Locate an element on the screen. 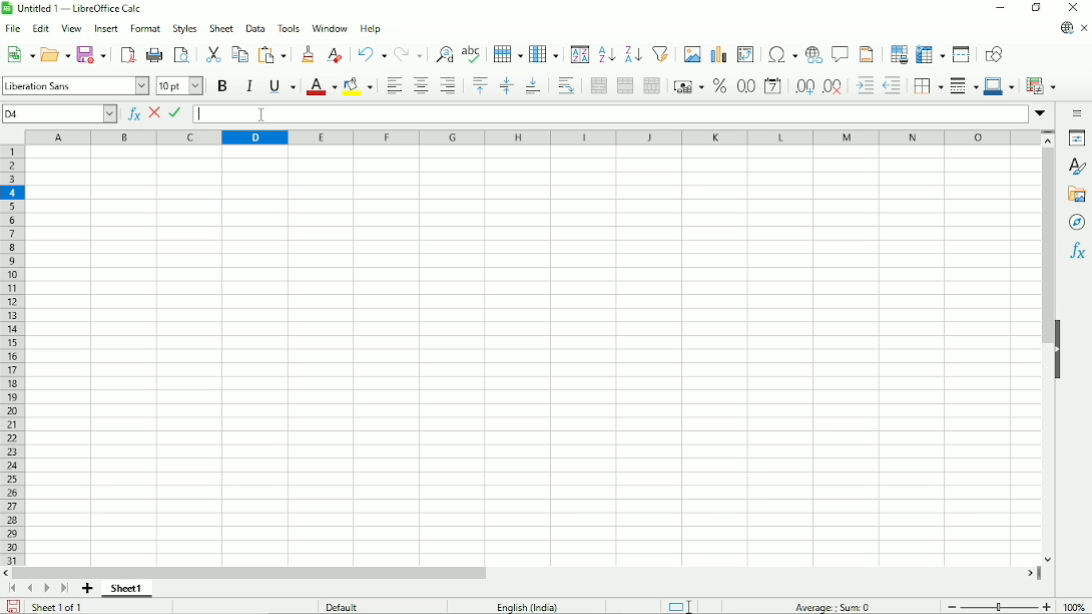 Image resolution: width=1092 pixels, height=614 pixels. Minimize is located at coordinates (1001, 8).